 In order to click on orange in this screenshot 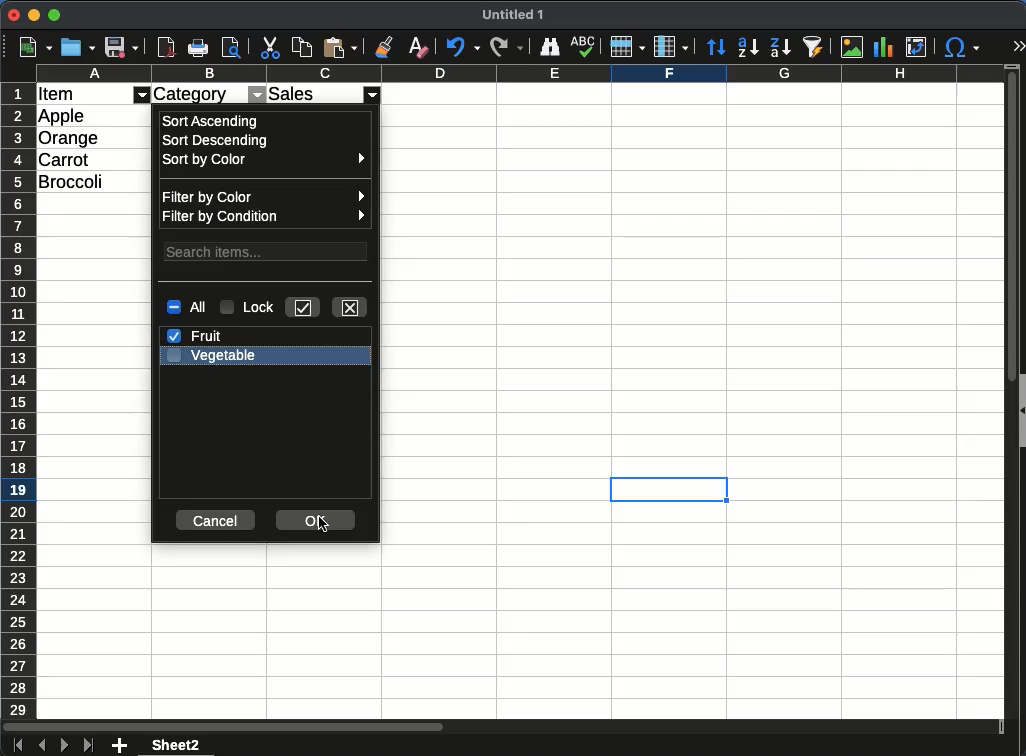, I will do `click(70, 137)`.